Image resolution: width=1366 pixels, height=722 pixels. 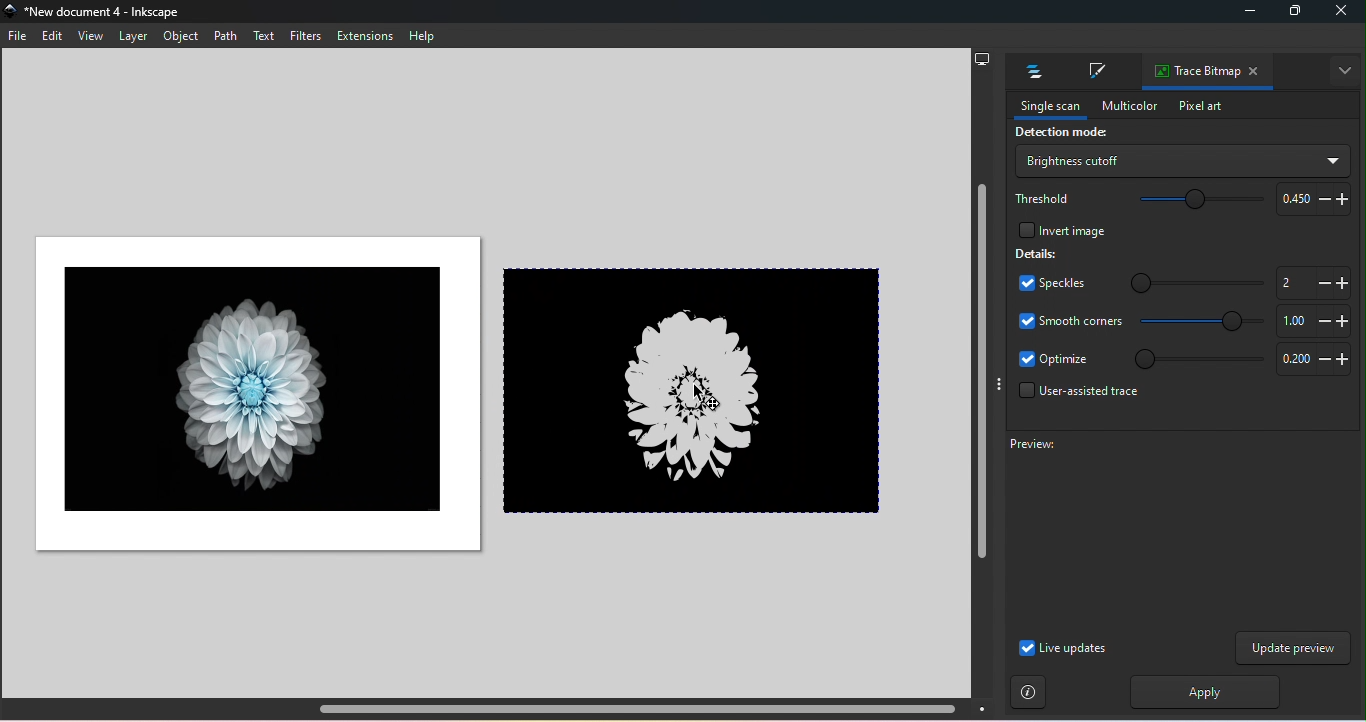 I want to click on Update preview, so click(x=1293, y=648).